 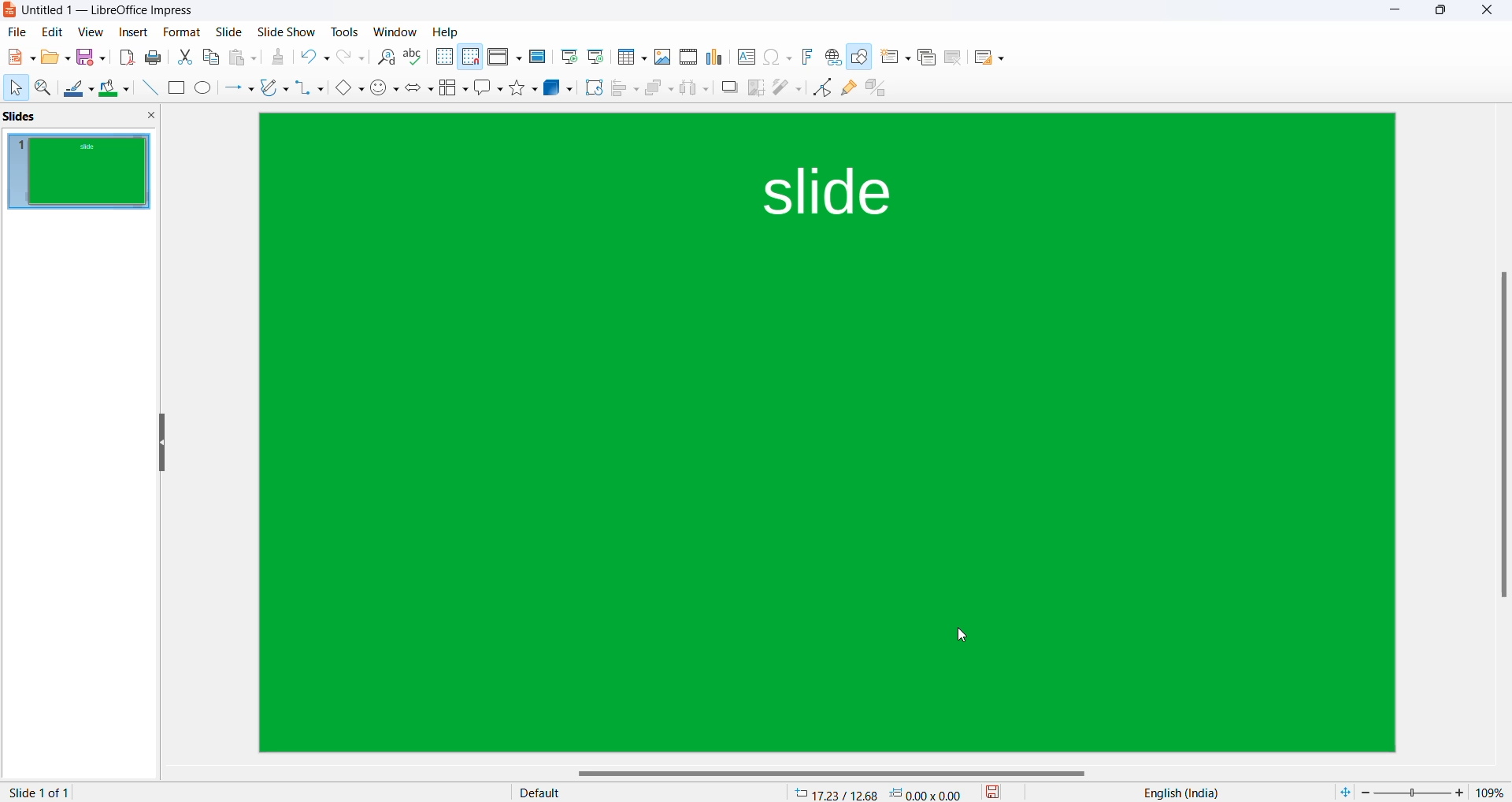 I want to click on block arrows , so click(x=421, y=89).